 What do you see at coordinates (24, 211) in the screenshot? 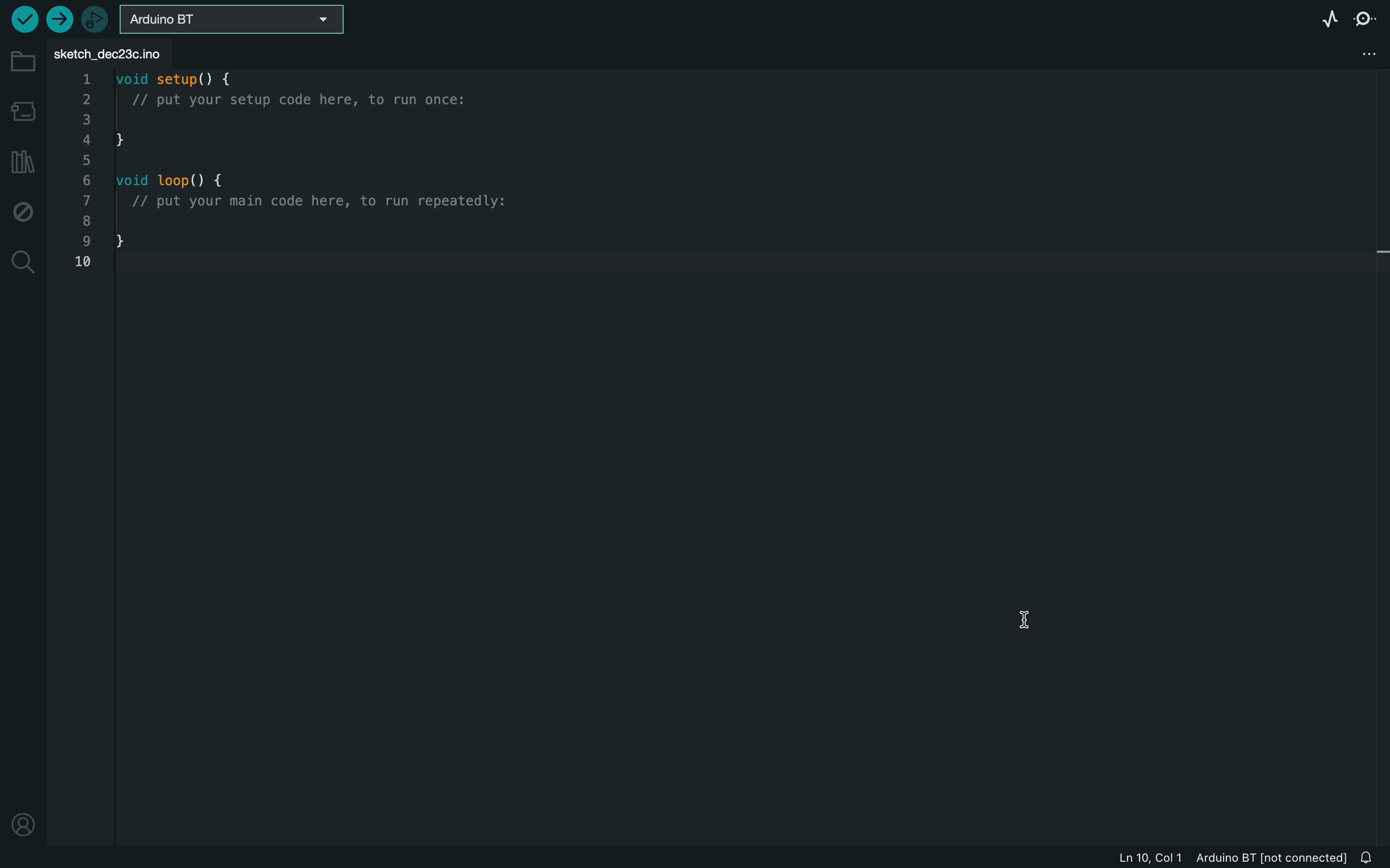
I see `debug` at bounding box center [24, 211].